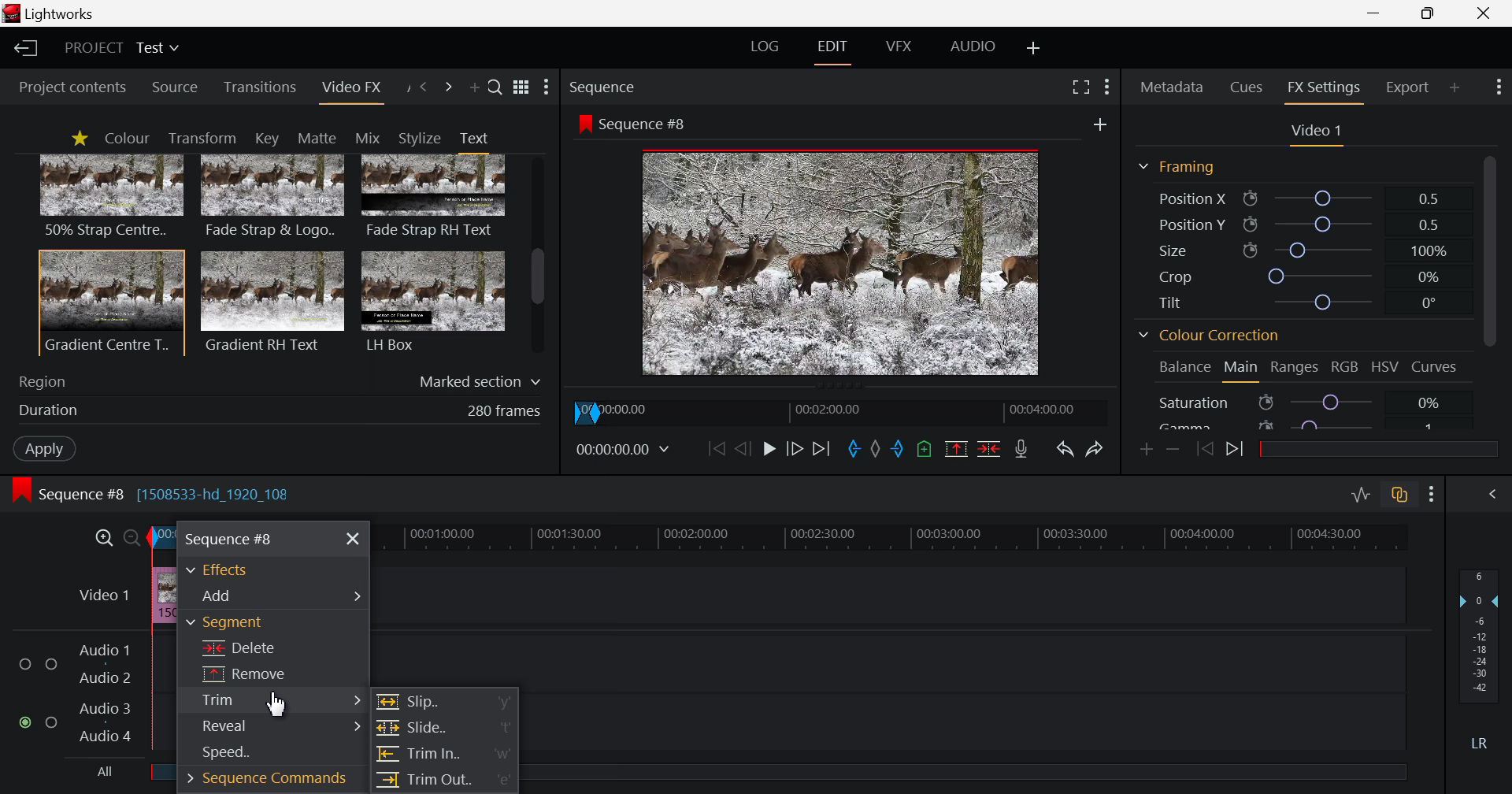 The width and height of the screenshot is (1512, 794). I want to click on Segment, so click(269, 623).